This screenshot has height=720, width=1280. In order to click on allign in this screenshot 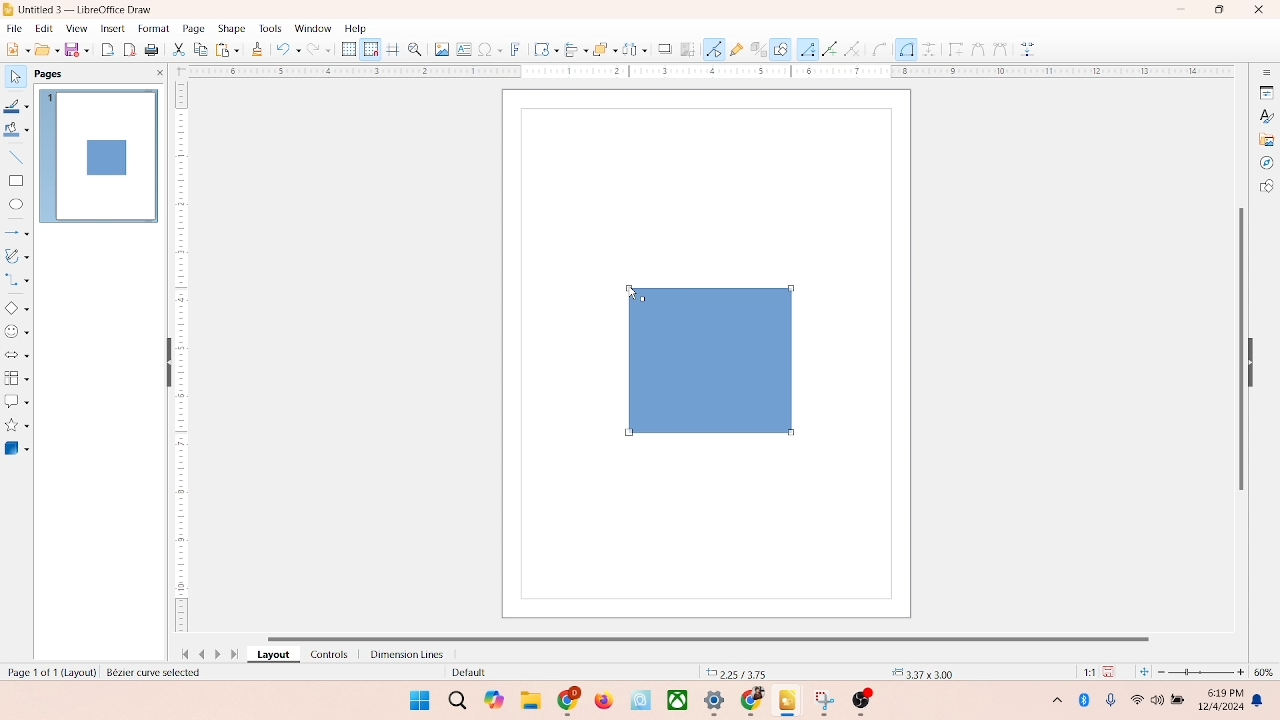, I will do `click(572, 47)`.